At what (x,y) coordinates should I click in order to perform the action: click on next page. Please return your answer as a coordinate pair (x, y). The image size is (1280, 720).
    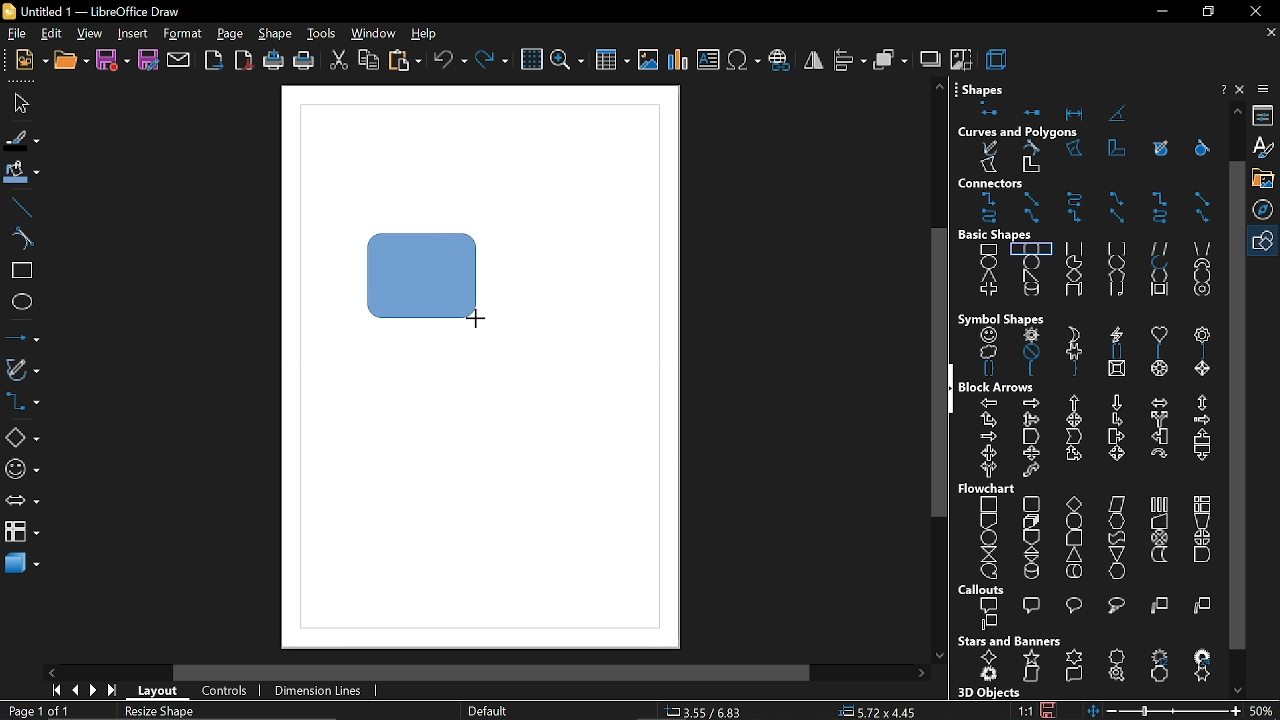
    Looking at the image, I should click on (93, 691).